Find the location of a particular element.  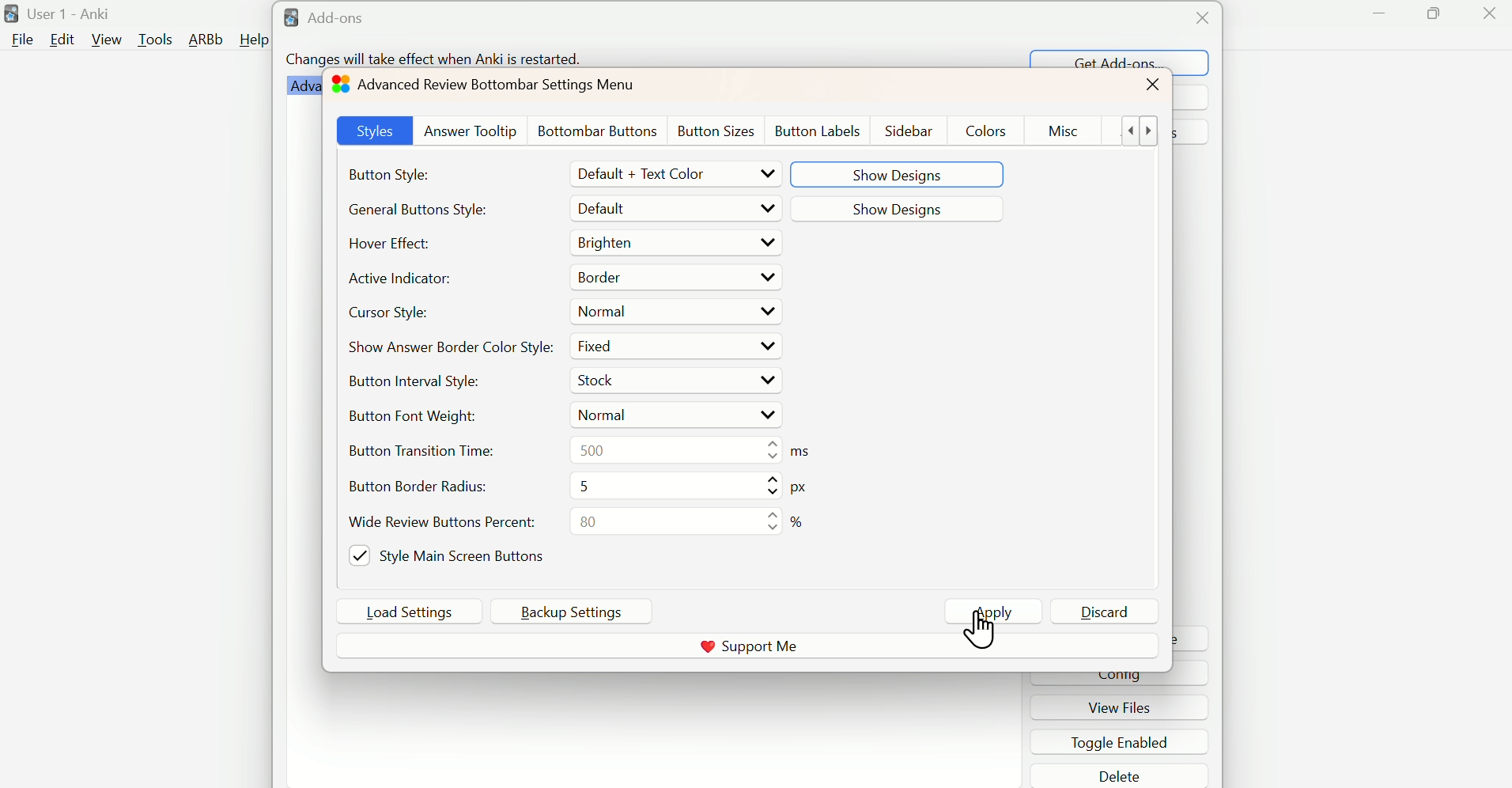

Sidebar is located at coordinates (904, 133).